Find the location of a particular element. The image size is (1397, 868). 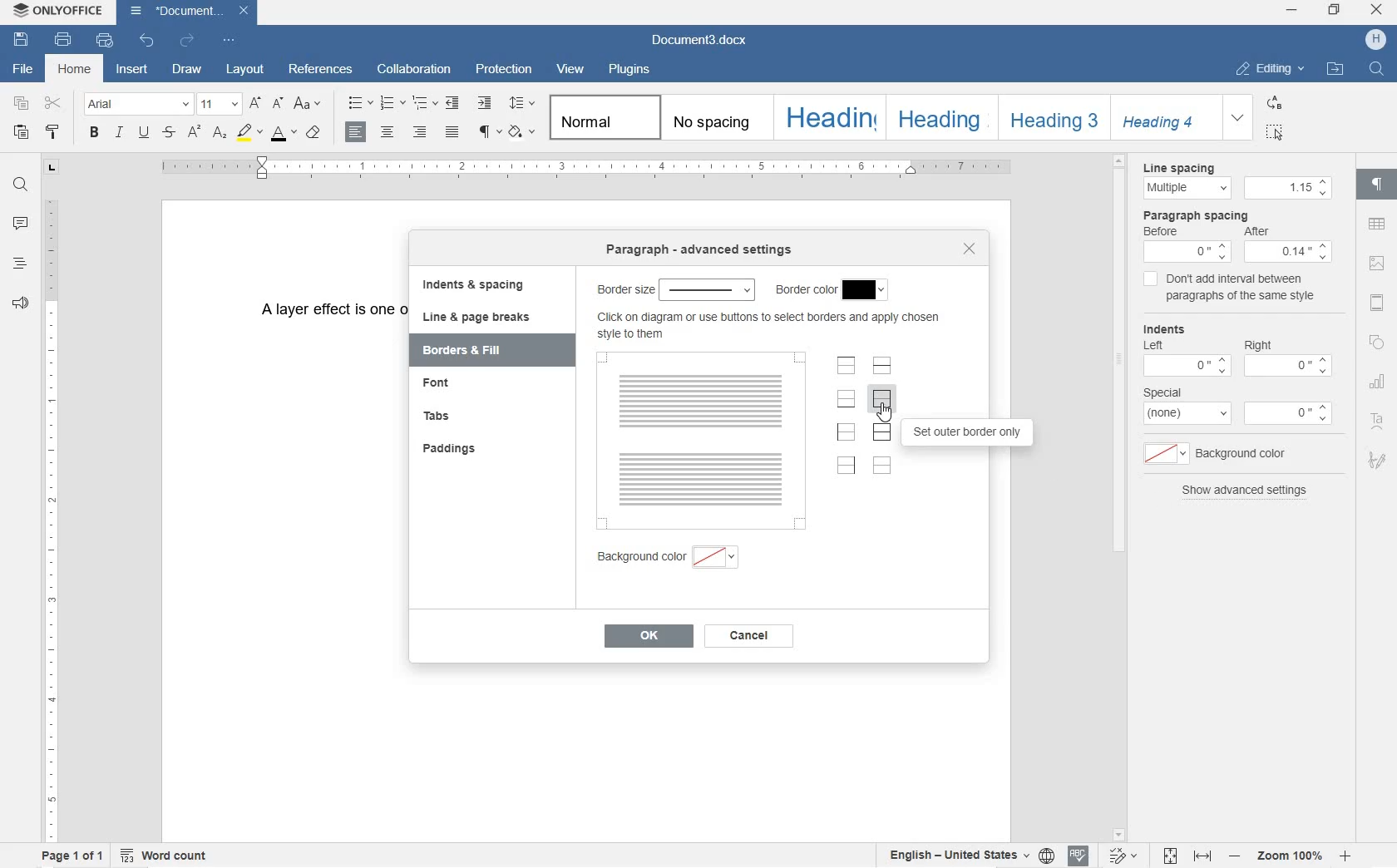

SELECT ALL is located at coordinates (1275, 131).